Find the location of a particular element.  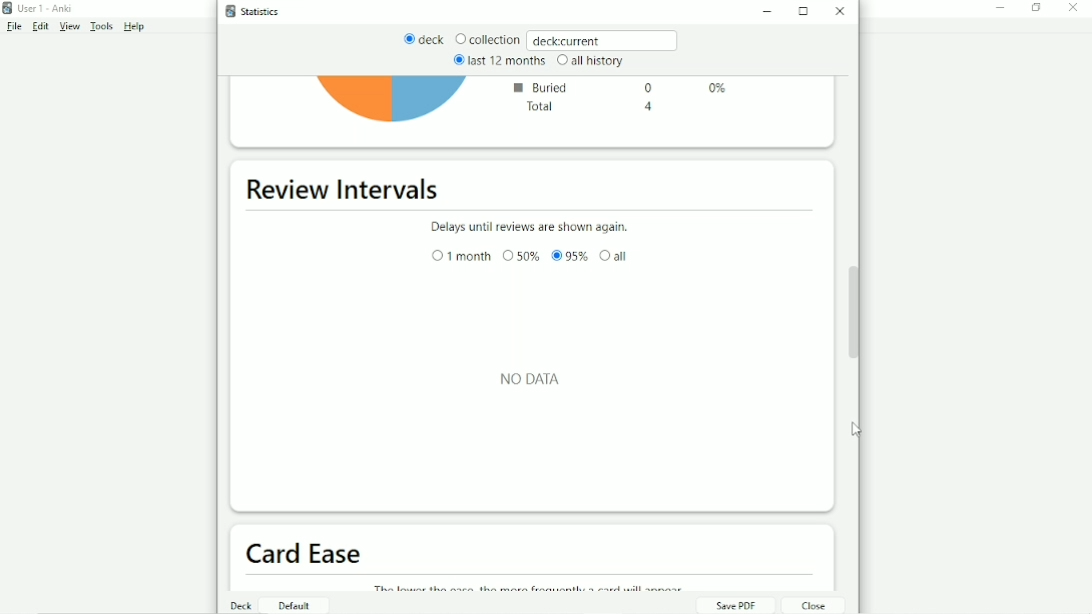

Minimize is located at coordinates (1001, 8).